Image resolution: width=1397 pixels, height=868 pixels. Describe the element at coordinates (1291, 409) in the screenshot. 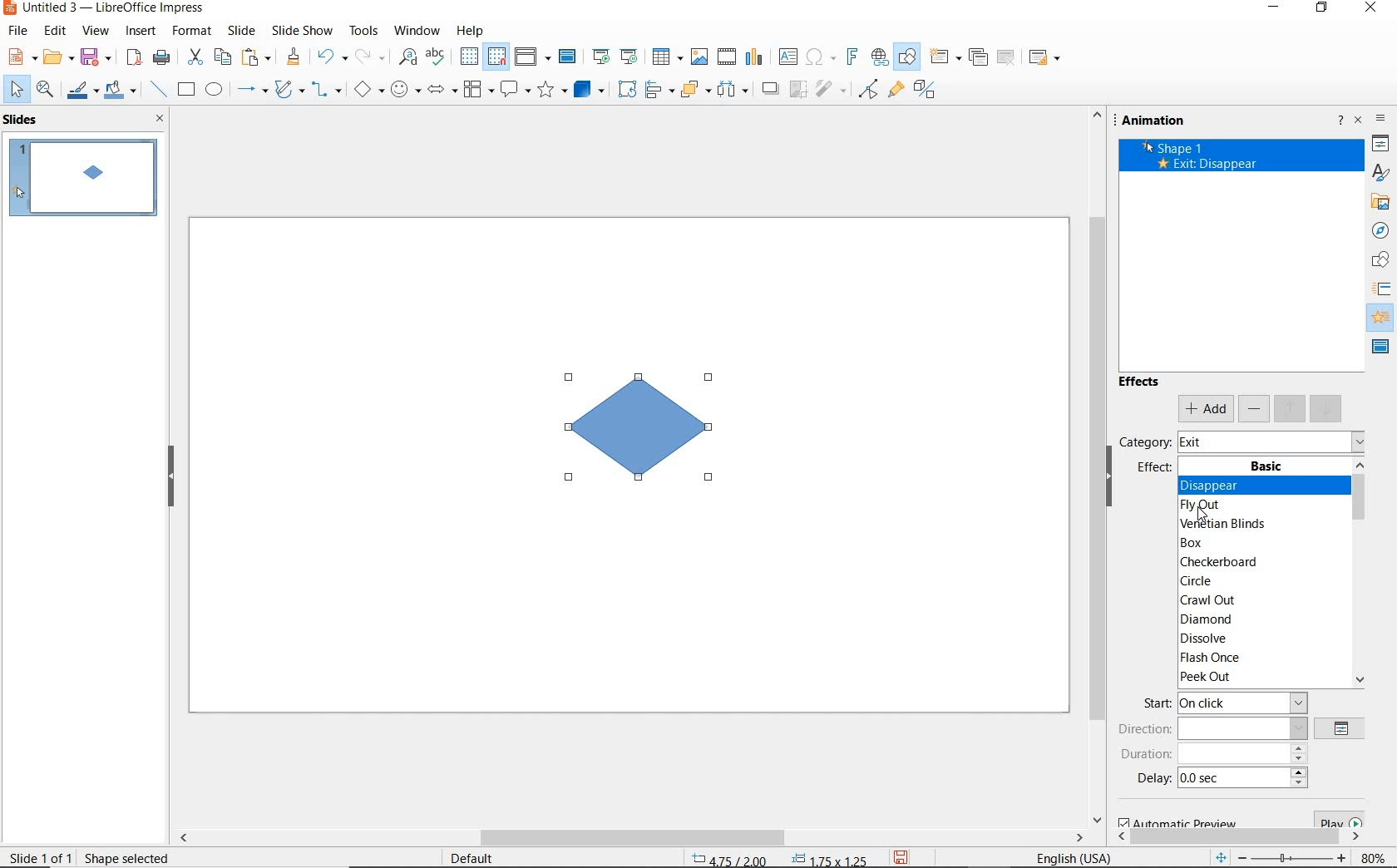

I see `move up` at that location.